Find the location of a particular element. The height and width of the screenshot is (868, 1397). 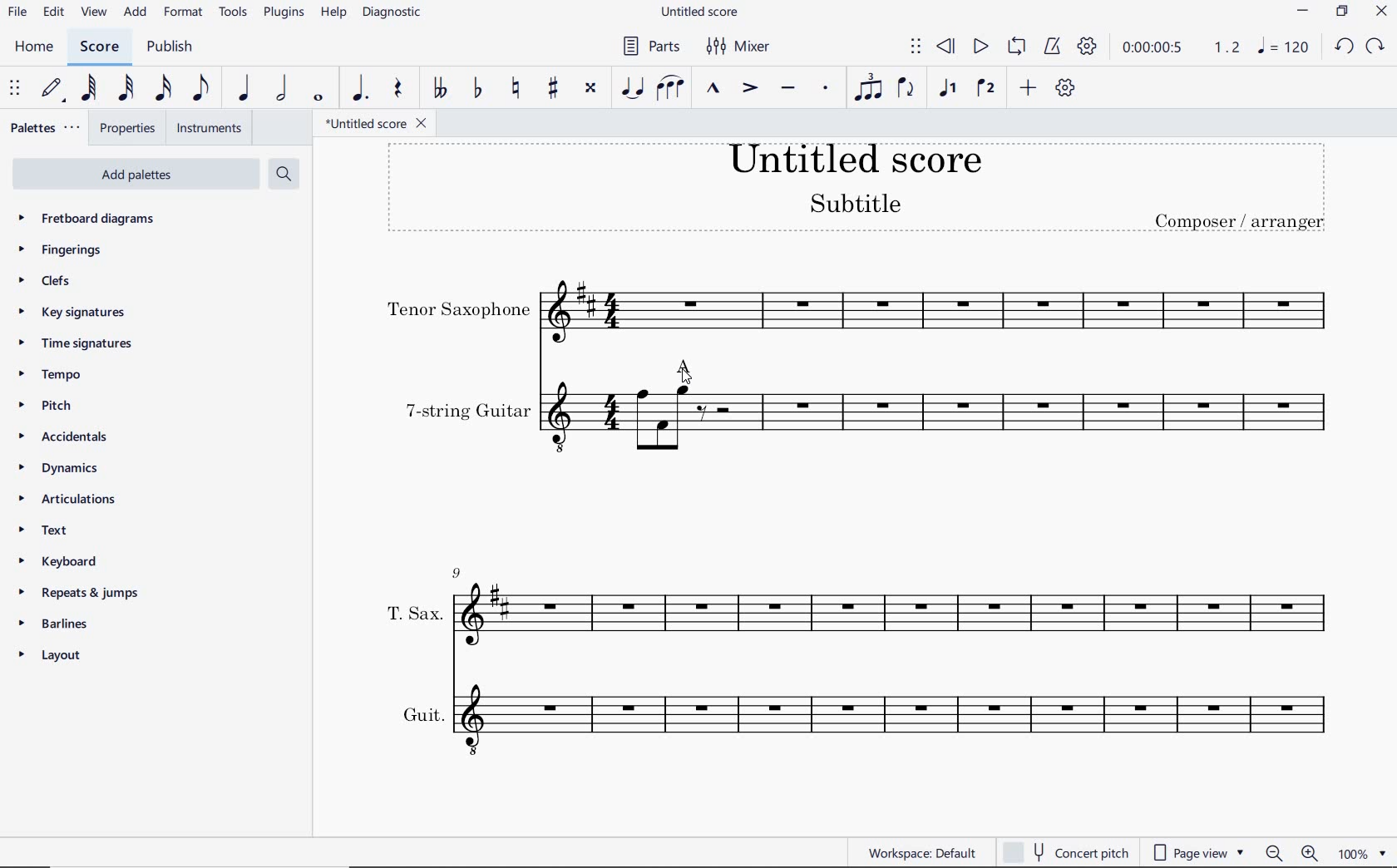

HELP is located at coordinates (333, 14).